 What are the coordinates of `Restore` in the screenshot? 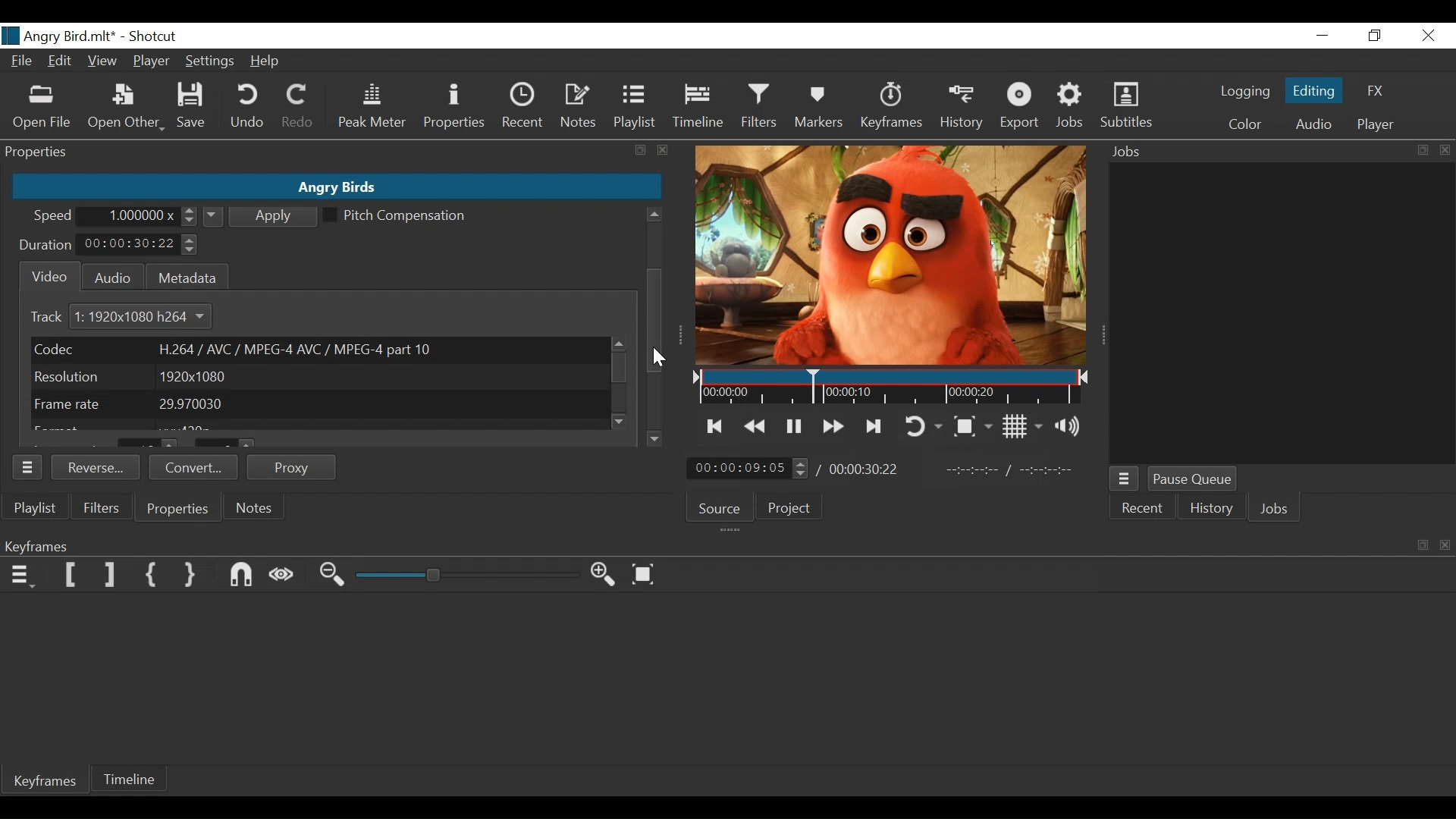 It's located at (1375, 36).